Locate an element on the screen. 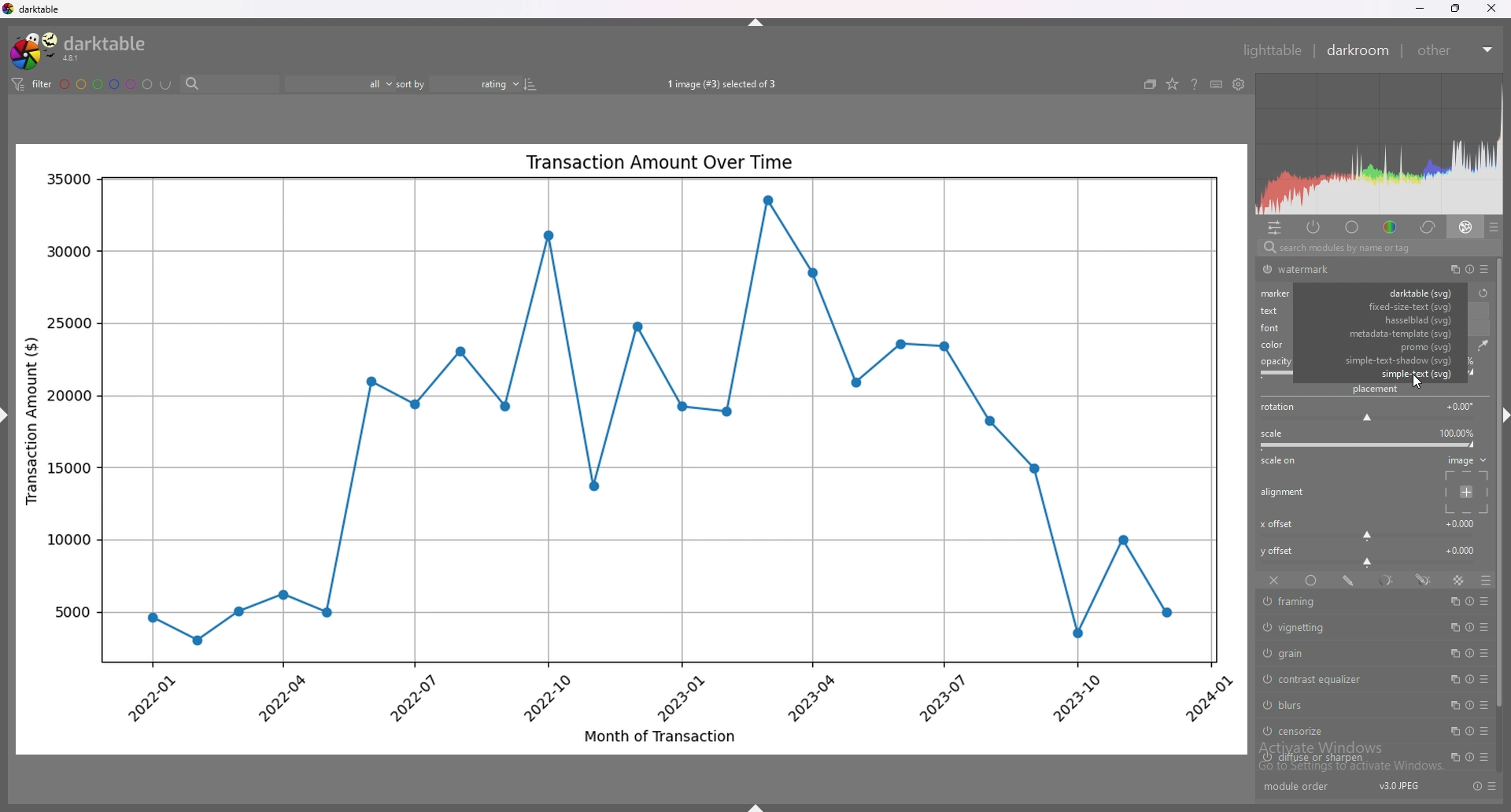  create grouped images is located at coordinates (1151, 84).